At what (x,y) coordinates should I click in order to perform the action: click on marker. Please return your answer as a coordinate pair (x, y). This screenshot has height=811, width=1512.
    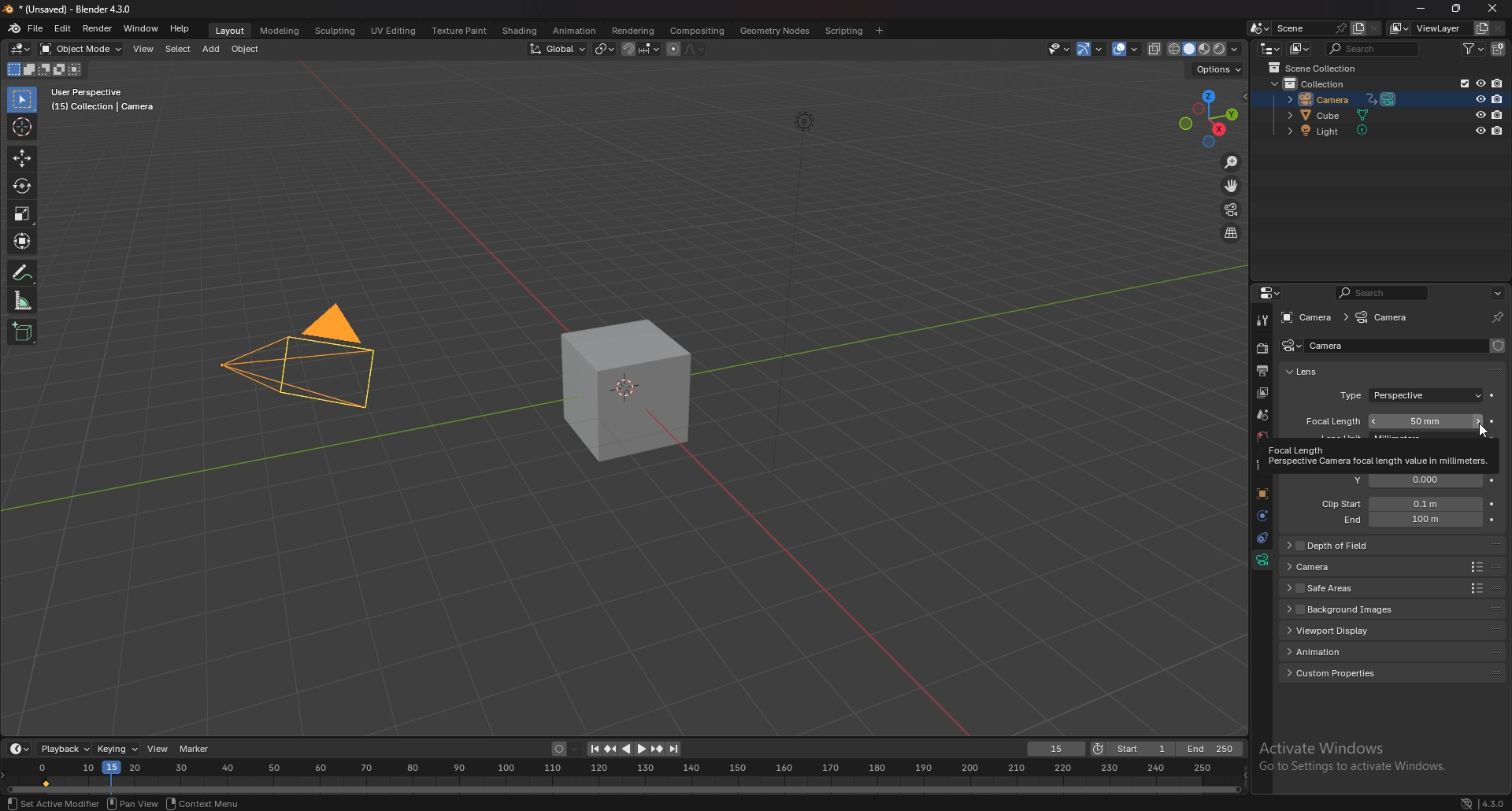
    Looking at the image, I should click on (196, 749).